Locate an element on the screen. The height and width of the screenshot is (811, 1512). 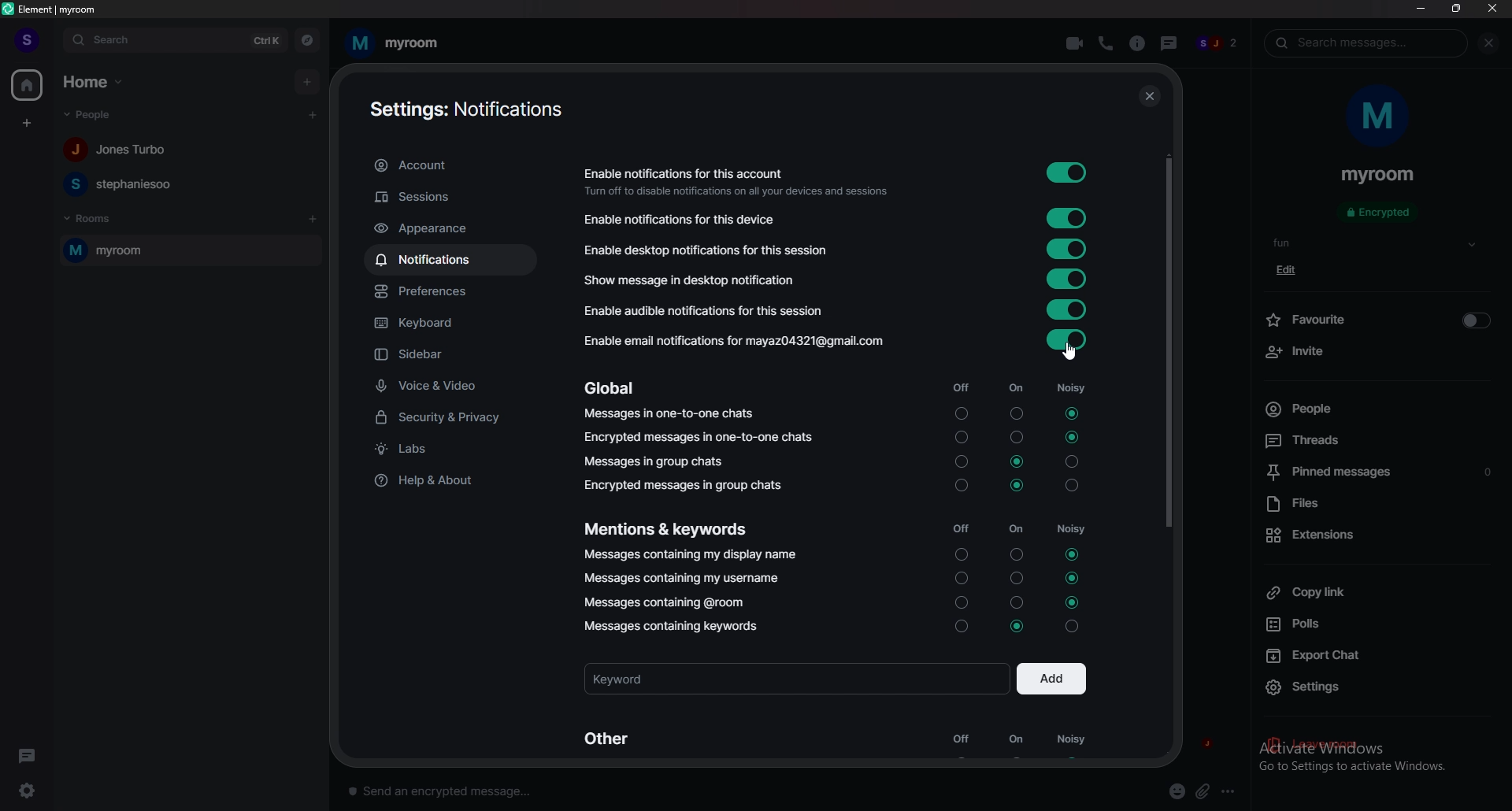
enable notifications for this account is located at coordinates (833, 178).